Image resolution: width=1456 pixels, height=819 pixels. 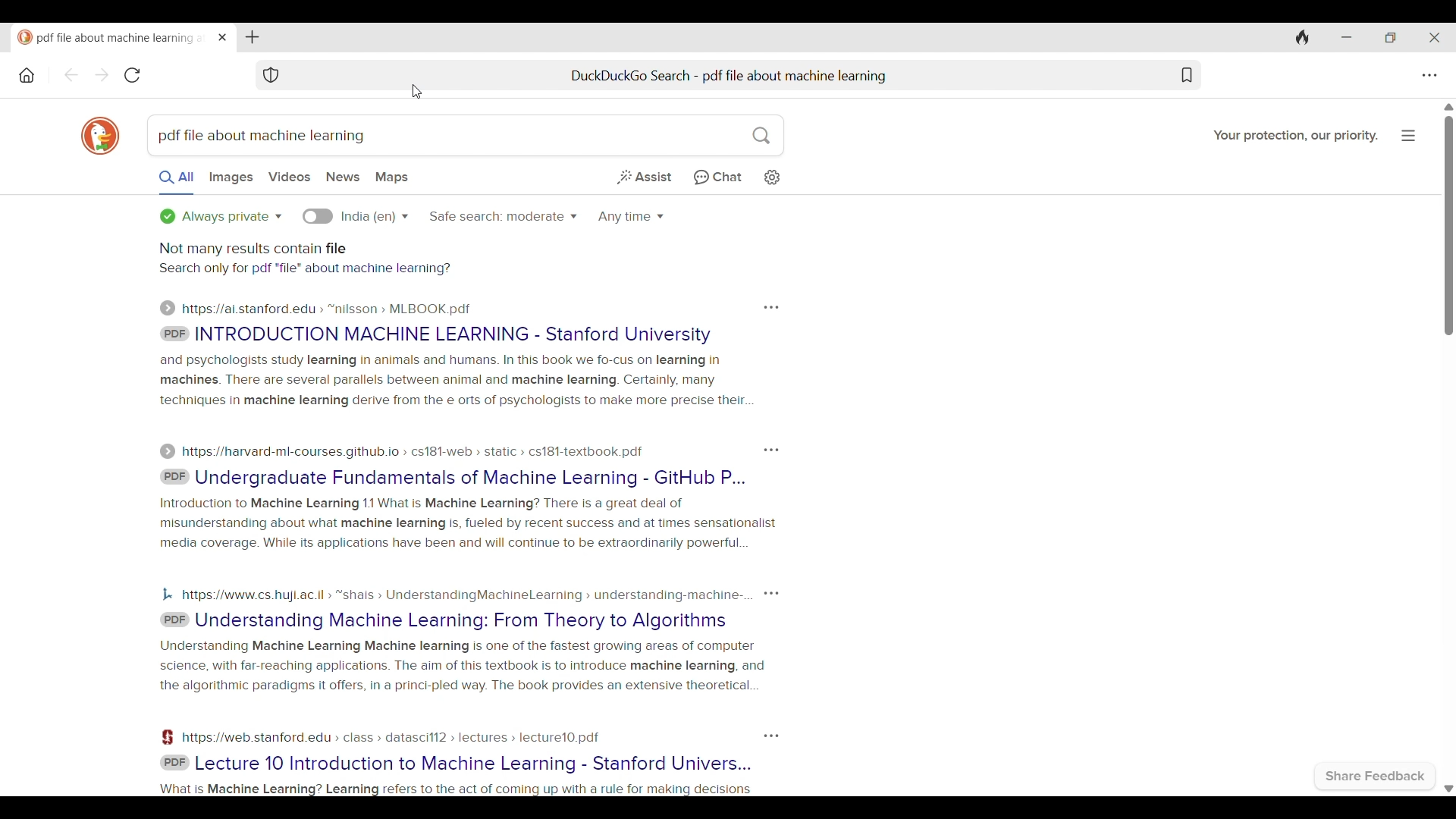 I want to click on https://harvard-ml-courses.github.io » cs181-web > static » cs181-textbook. pdf, so click(x=413, y=451).